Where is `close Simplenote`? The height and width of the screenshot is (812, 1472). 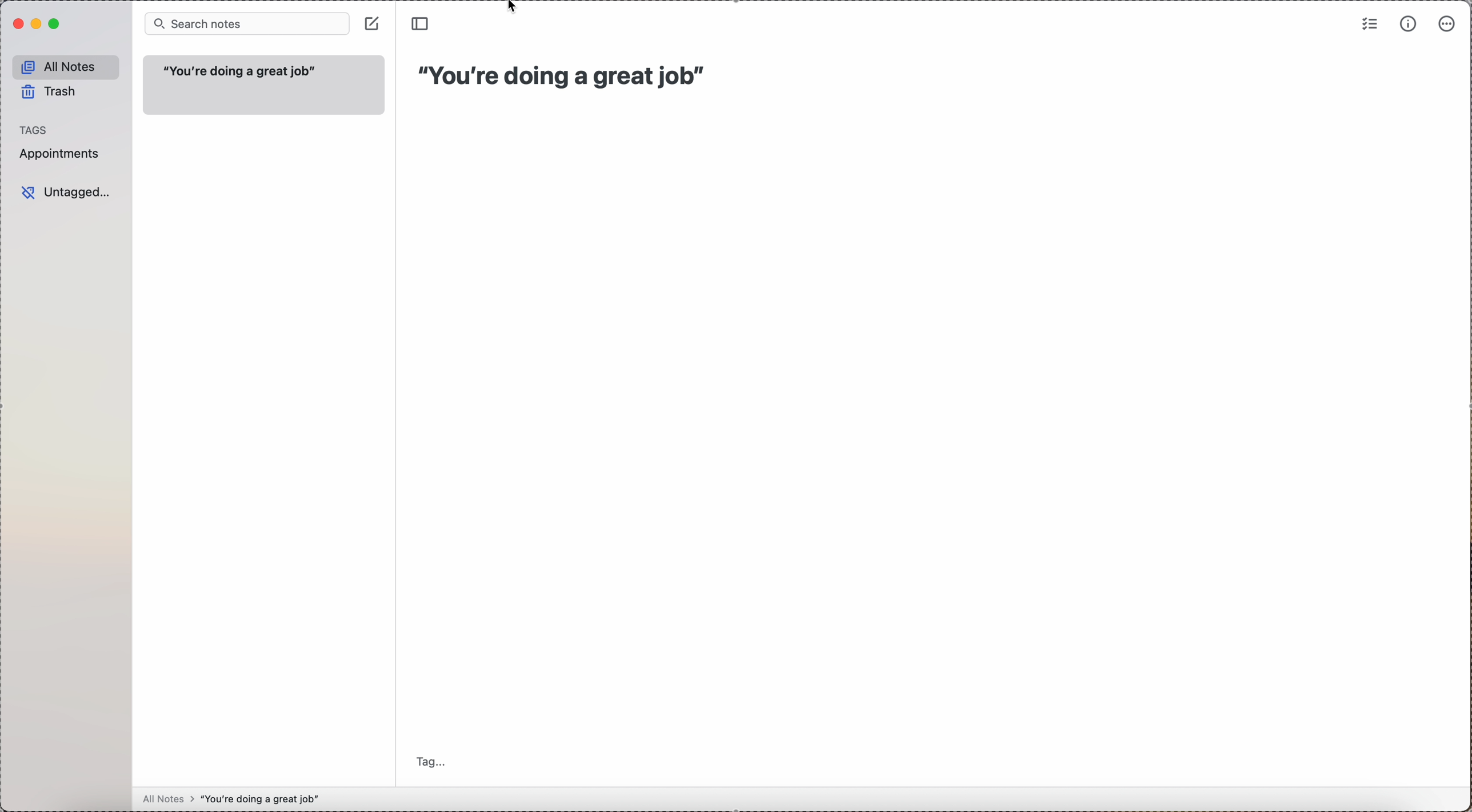
close Simplenote is located at coordinates (17, 24).